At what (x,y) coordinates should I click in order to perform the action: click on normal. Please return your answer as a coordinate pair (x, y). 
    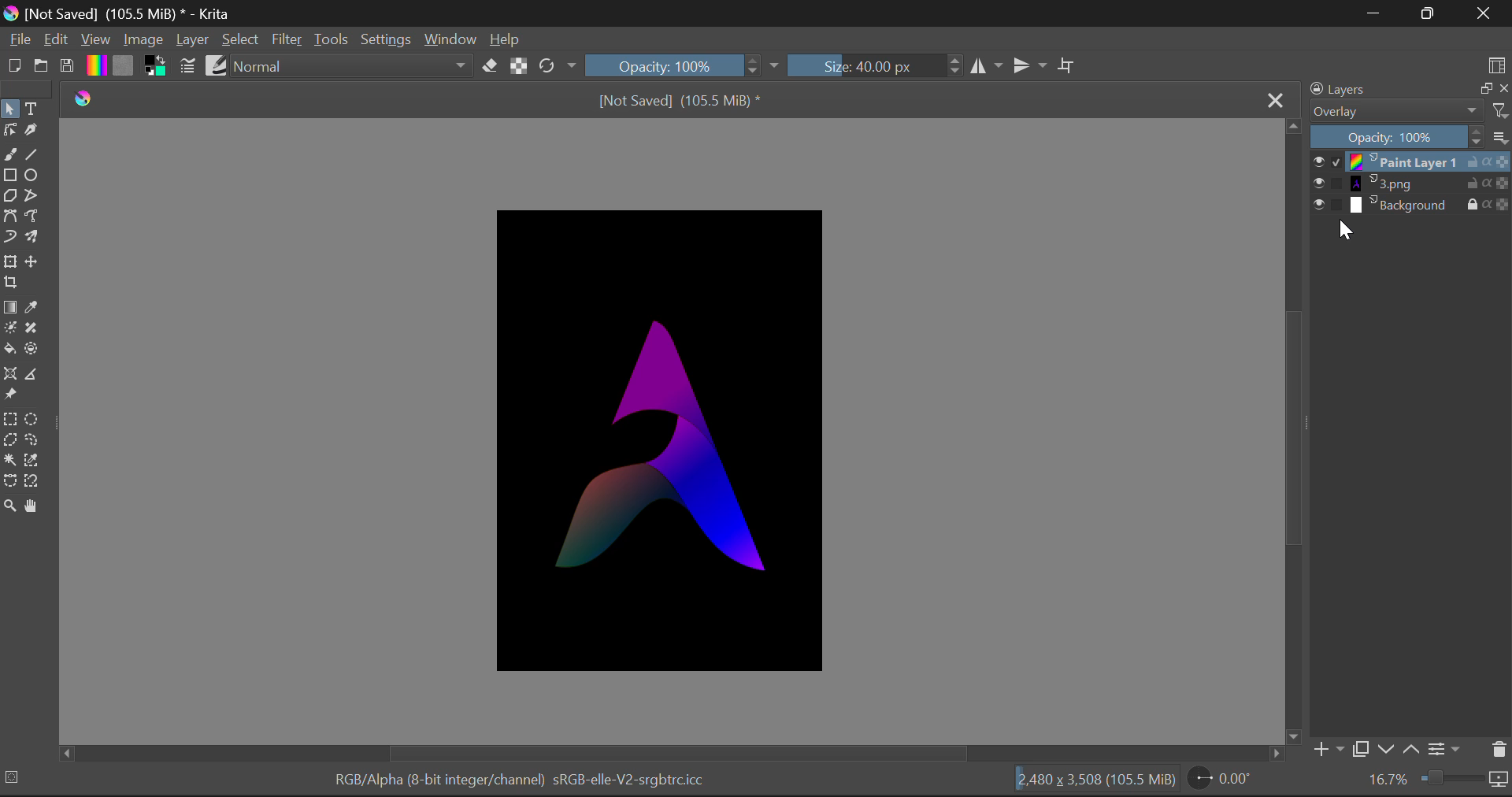
    Looking at the image, I should click on (354, 67).